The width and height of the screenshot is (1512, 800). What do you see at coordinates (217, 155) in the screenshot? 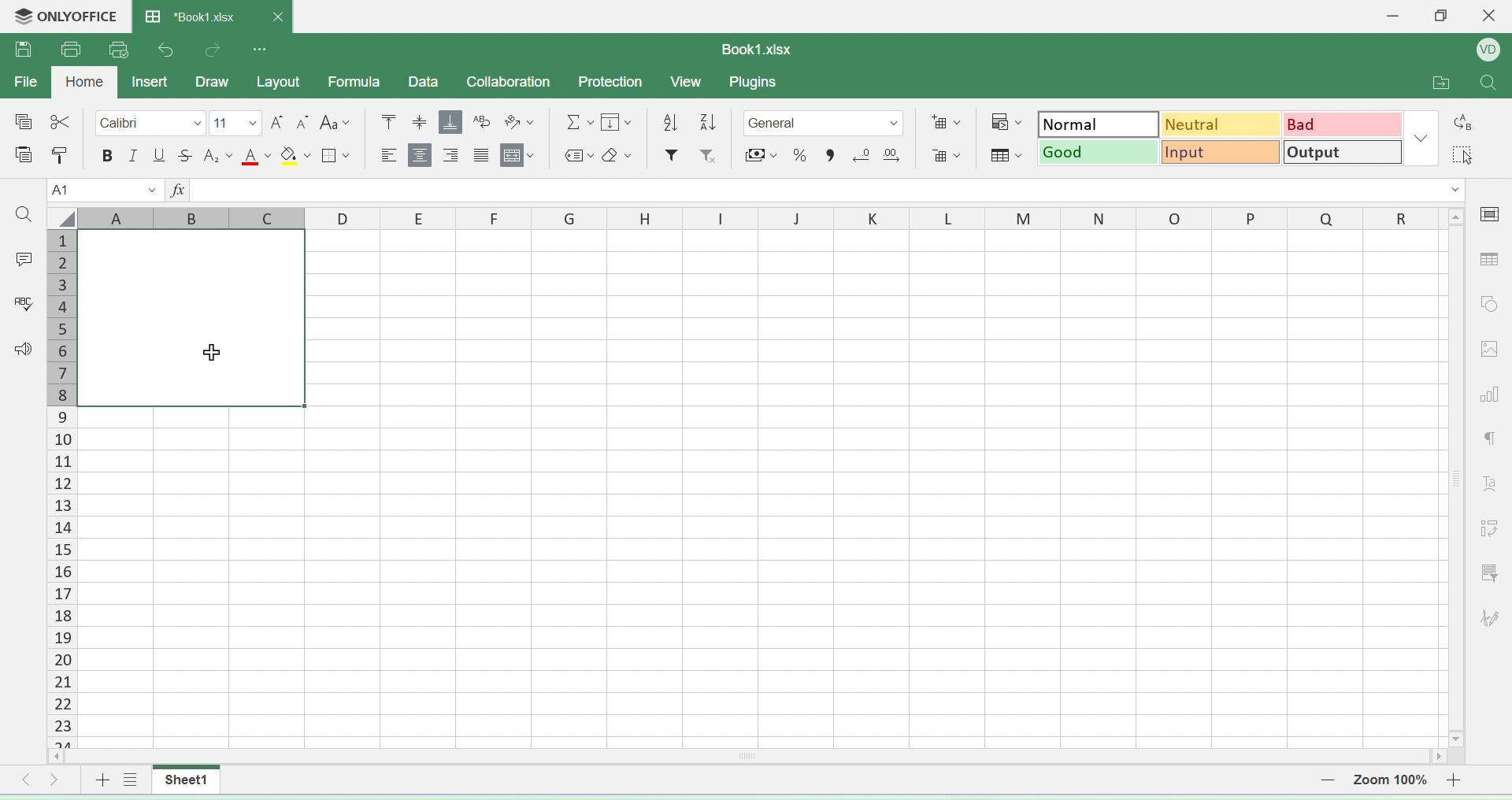
I see `subscript` at bounding box center [217, 155].